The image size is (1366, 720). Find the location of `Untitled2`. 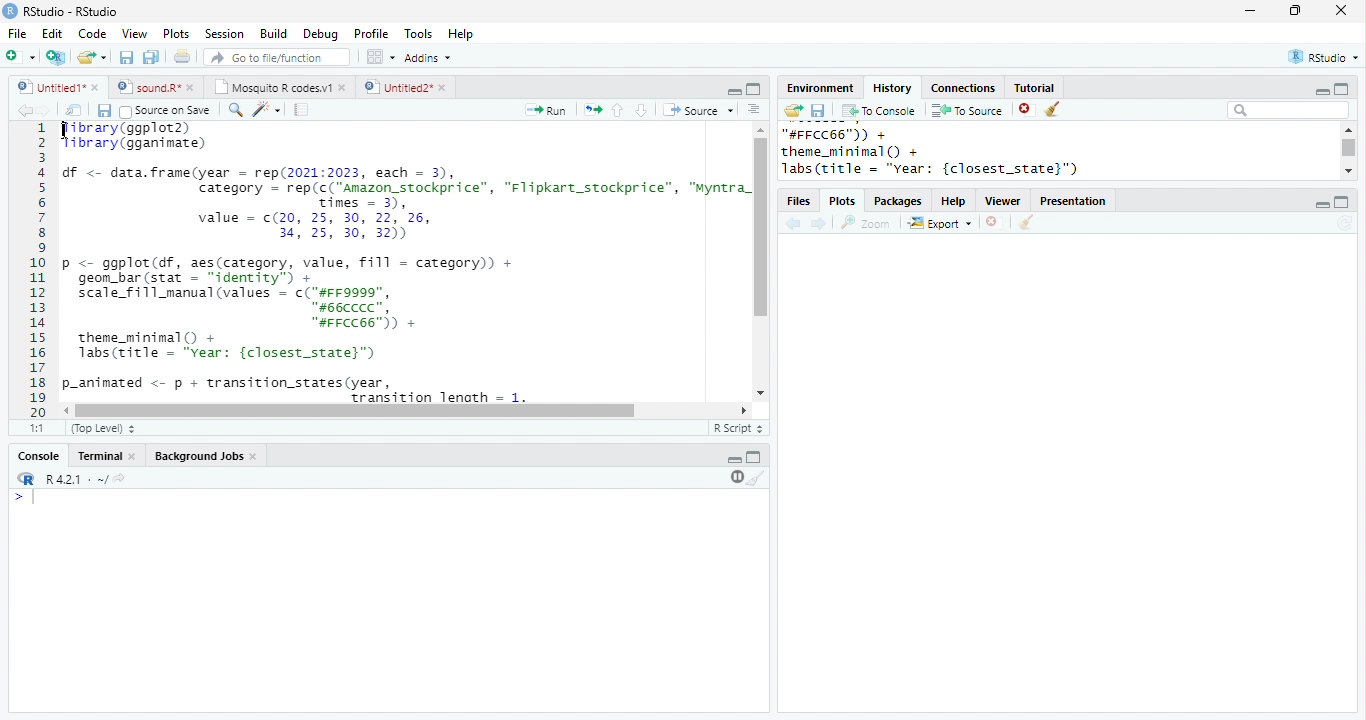

Untitled2 is located at coordinates (396, 87).